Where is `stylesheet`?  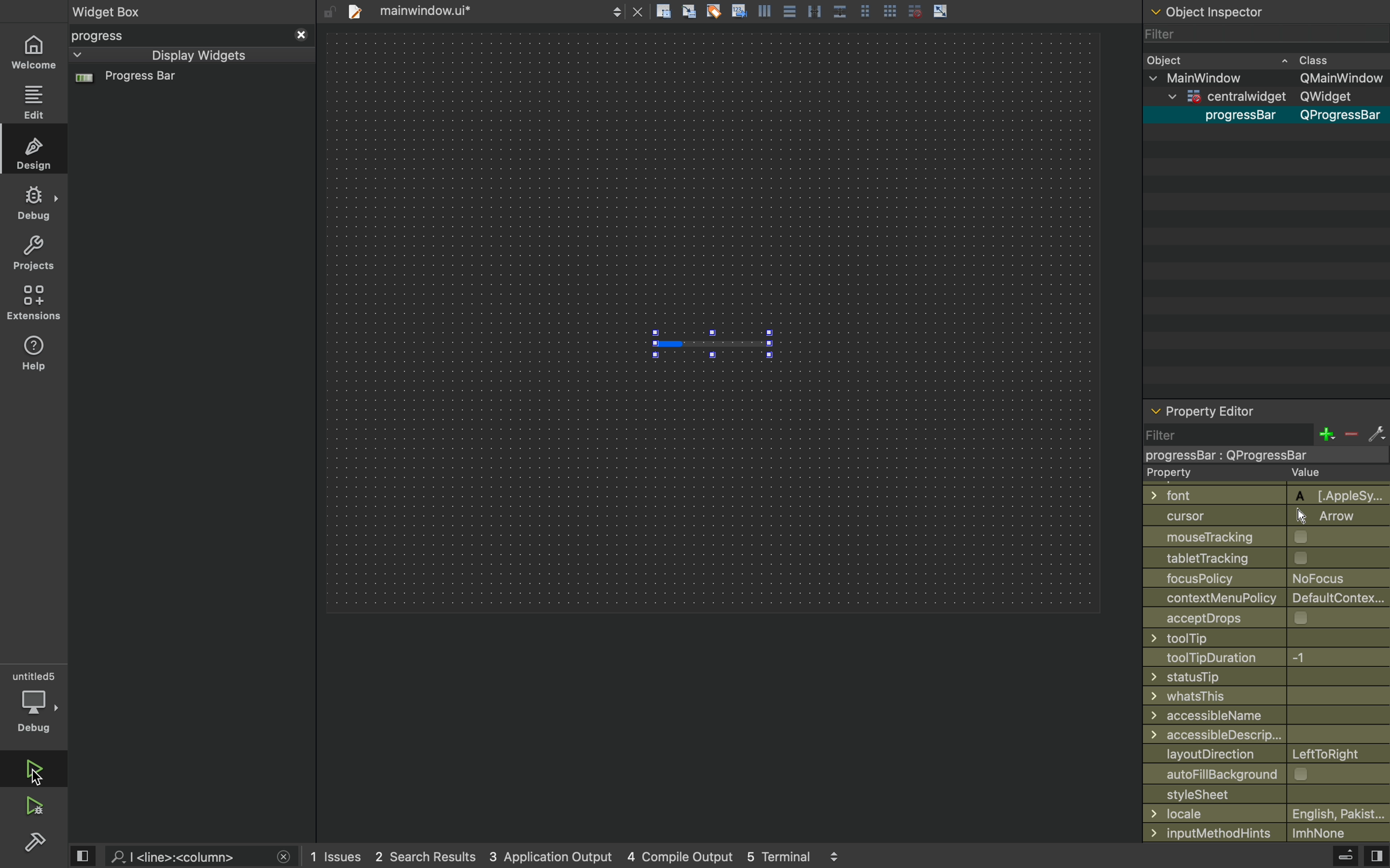
stylesheet is located at coordinates (1267, 793).